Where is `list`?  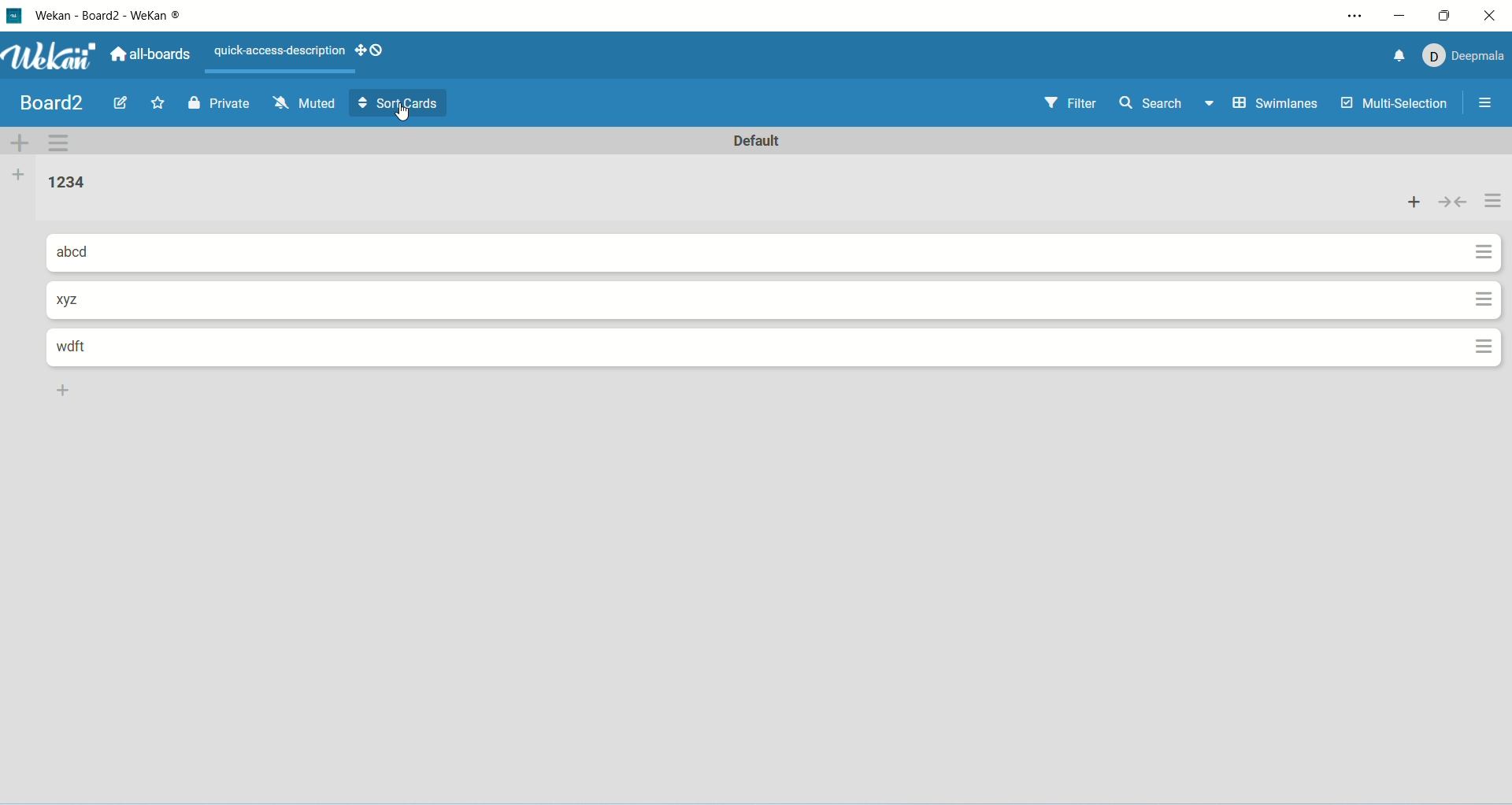 list is located at coordinates (72, 184).